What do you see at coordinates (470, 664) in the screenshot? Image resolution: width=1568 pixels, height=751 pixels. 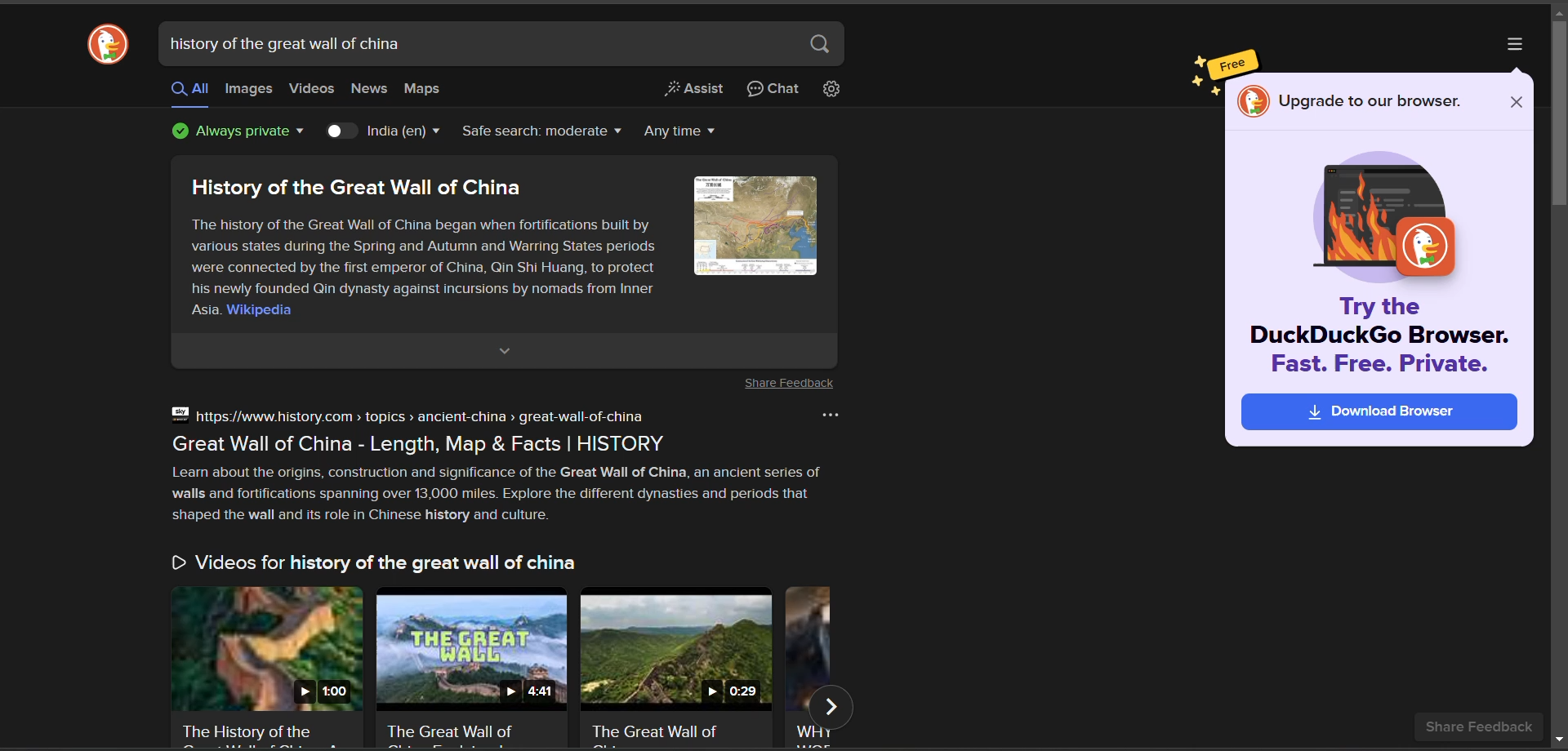 I see `video thumbnail and title` at bounding box center [470, 664].